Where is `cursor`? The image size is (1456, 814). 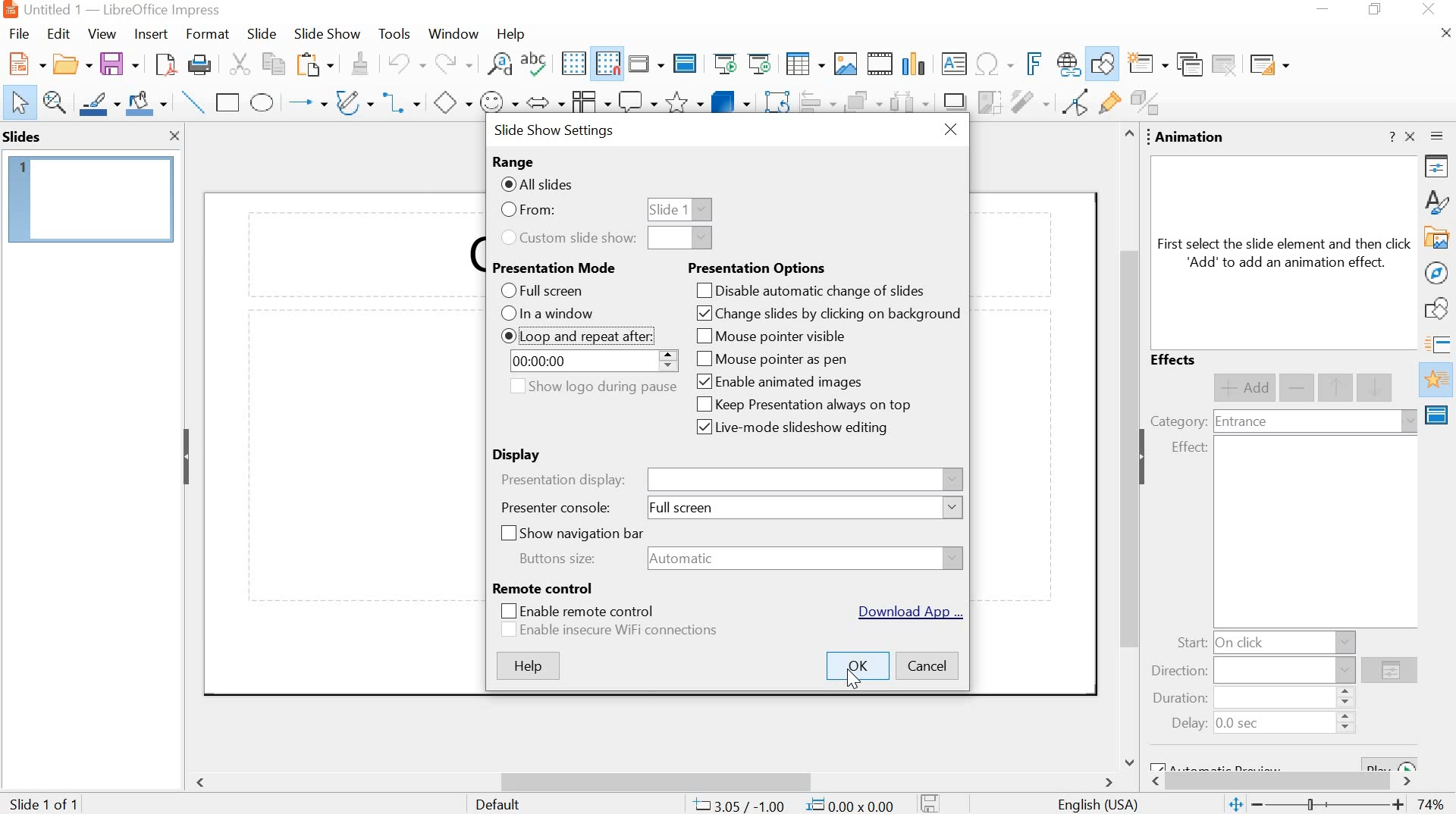 cursor is located at coordinates (854, 681).